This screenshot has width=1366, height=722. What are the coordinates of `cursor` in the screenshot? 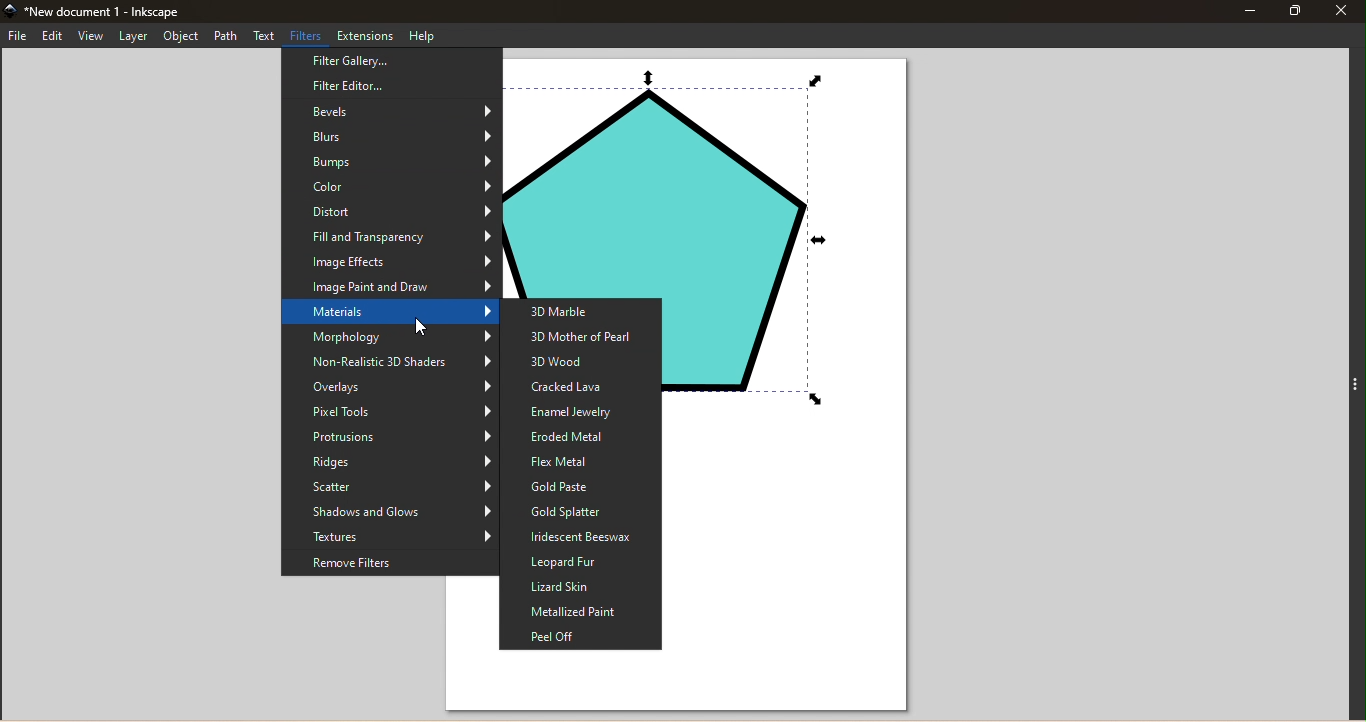 It's located at (421, 327).